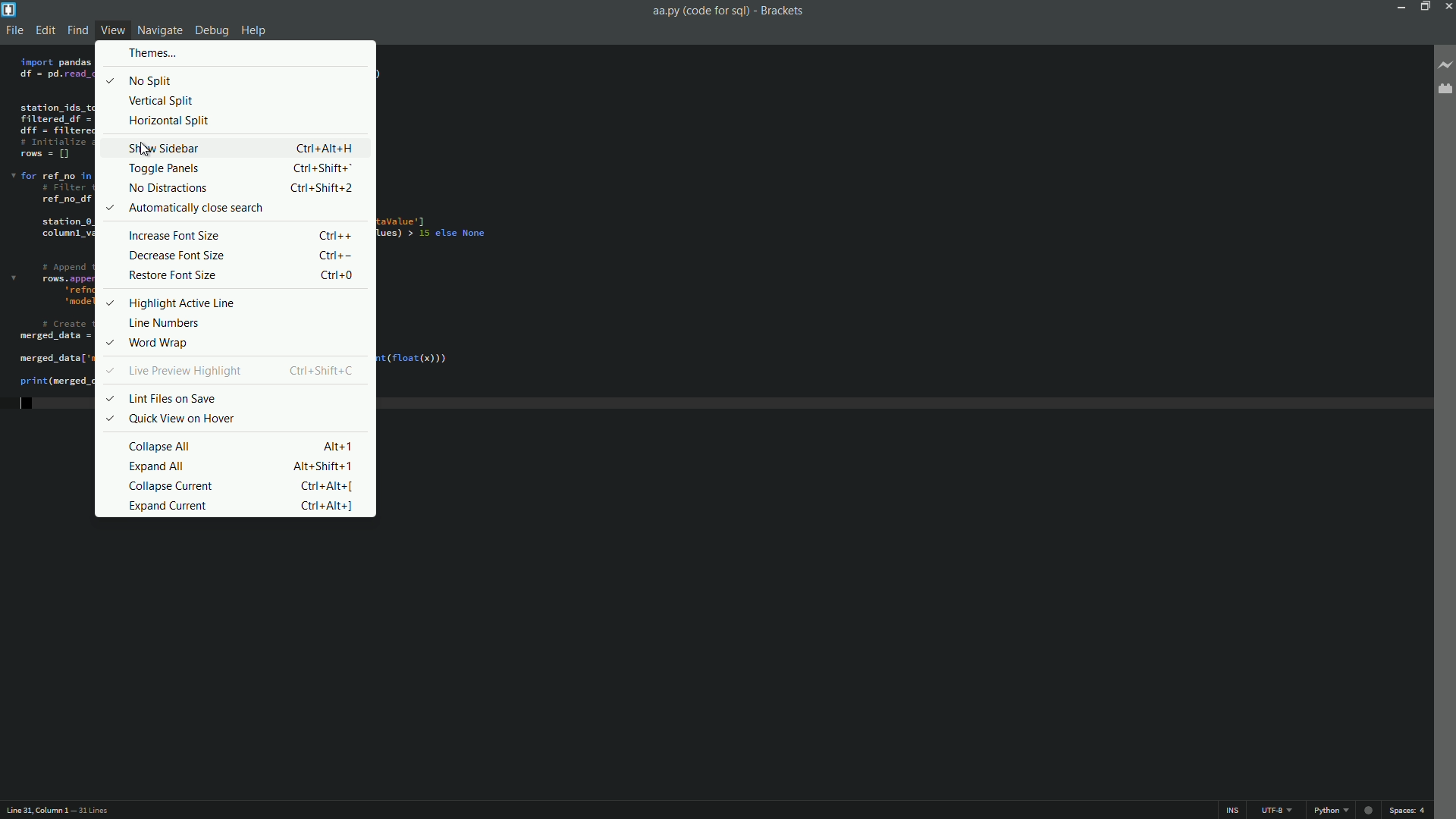 Image resolution: width=1456 pixels, height=819 pixels. Describe the element at coordinates (1332, 811) in the screenshot. I see `python` at that location.